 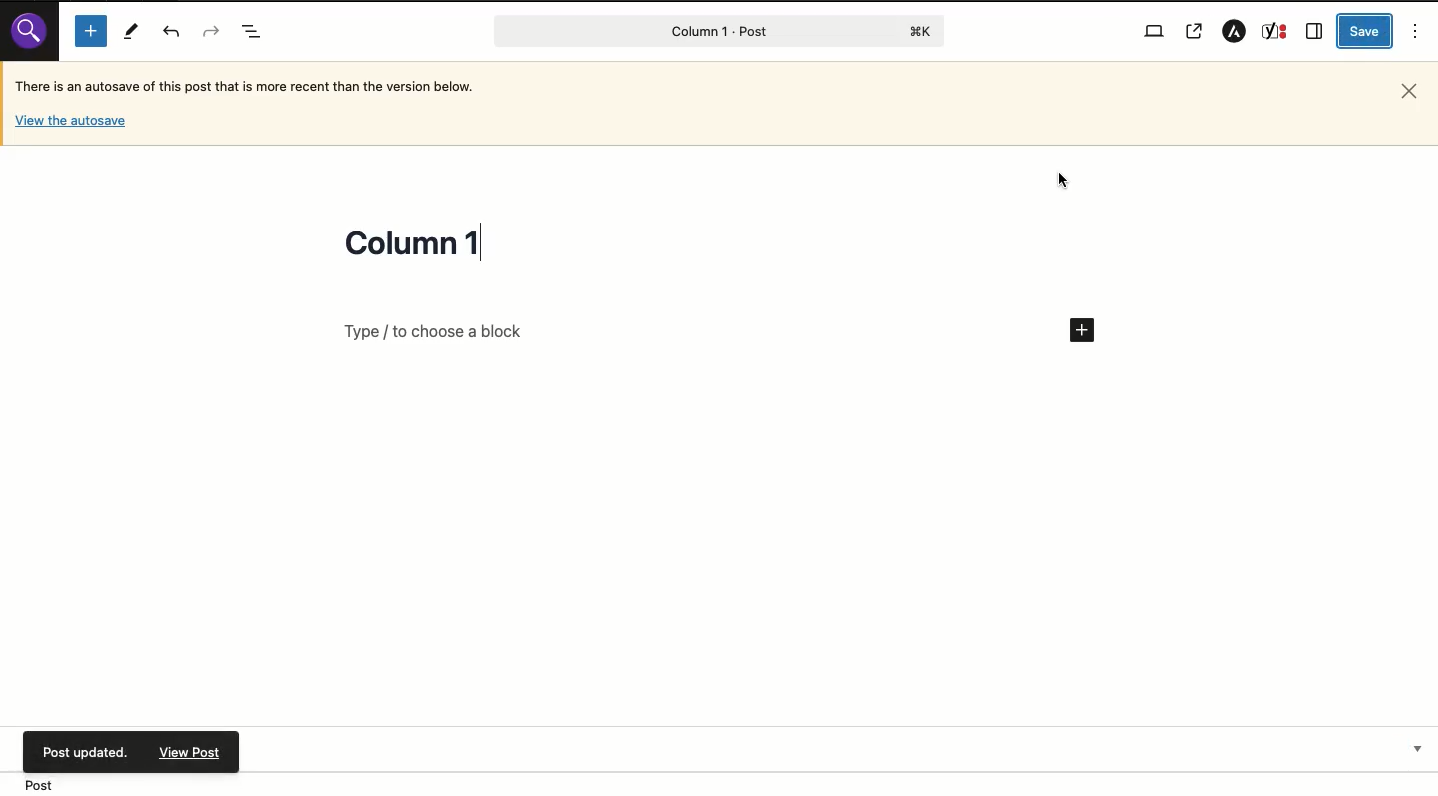 What do you see at coordinates (1417, 30) in the screenshot?
I see `Options` at bounding box center [1417, 30].